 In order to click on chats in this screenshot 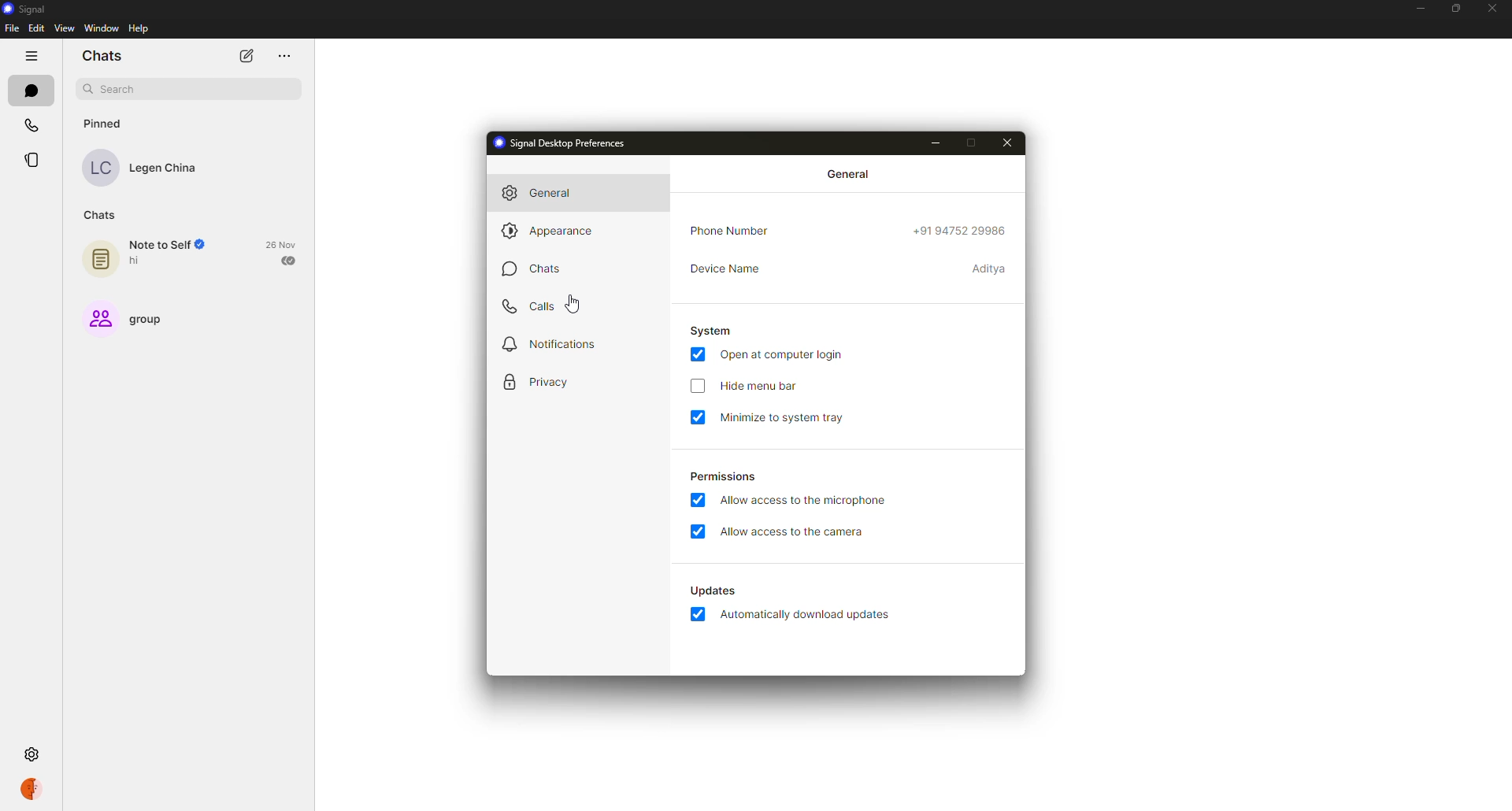, I will do `click(31, 92)`.